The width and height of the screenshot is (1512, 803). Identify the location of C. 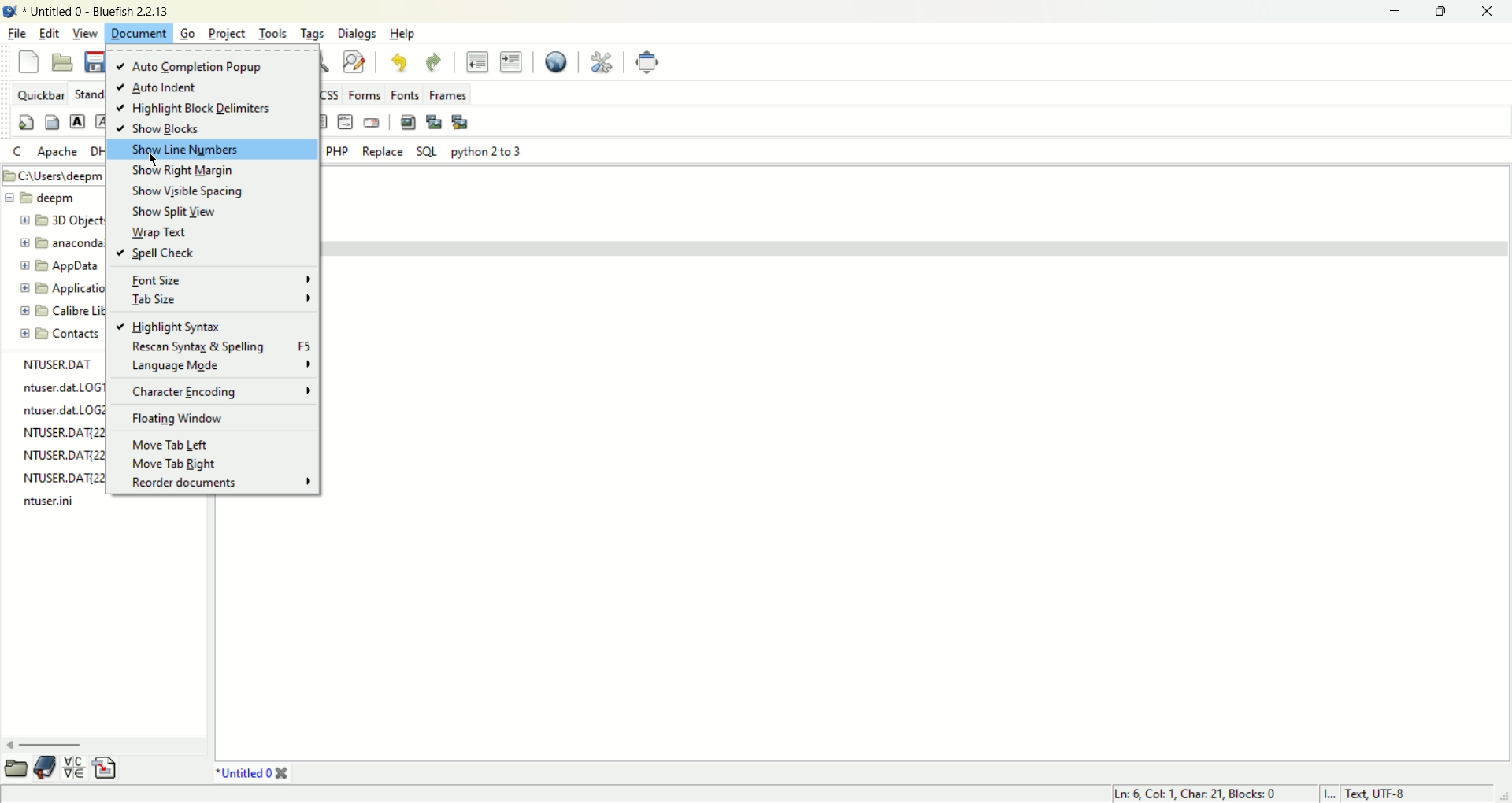
(17, 150).